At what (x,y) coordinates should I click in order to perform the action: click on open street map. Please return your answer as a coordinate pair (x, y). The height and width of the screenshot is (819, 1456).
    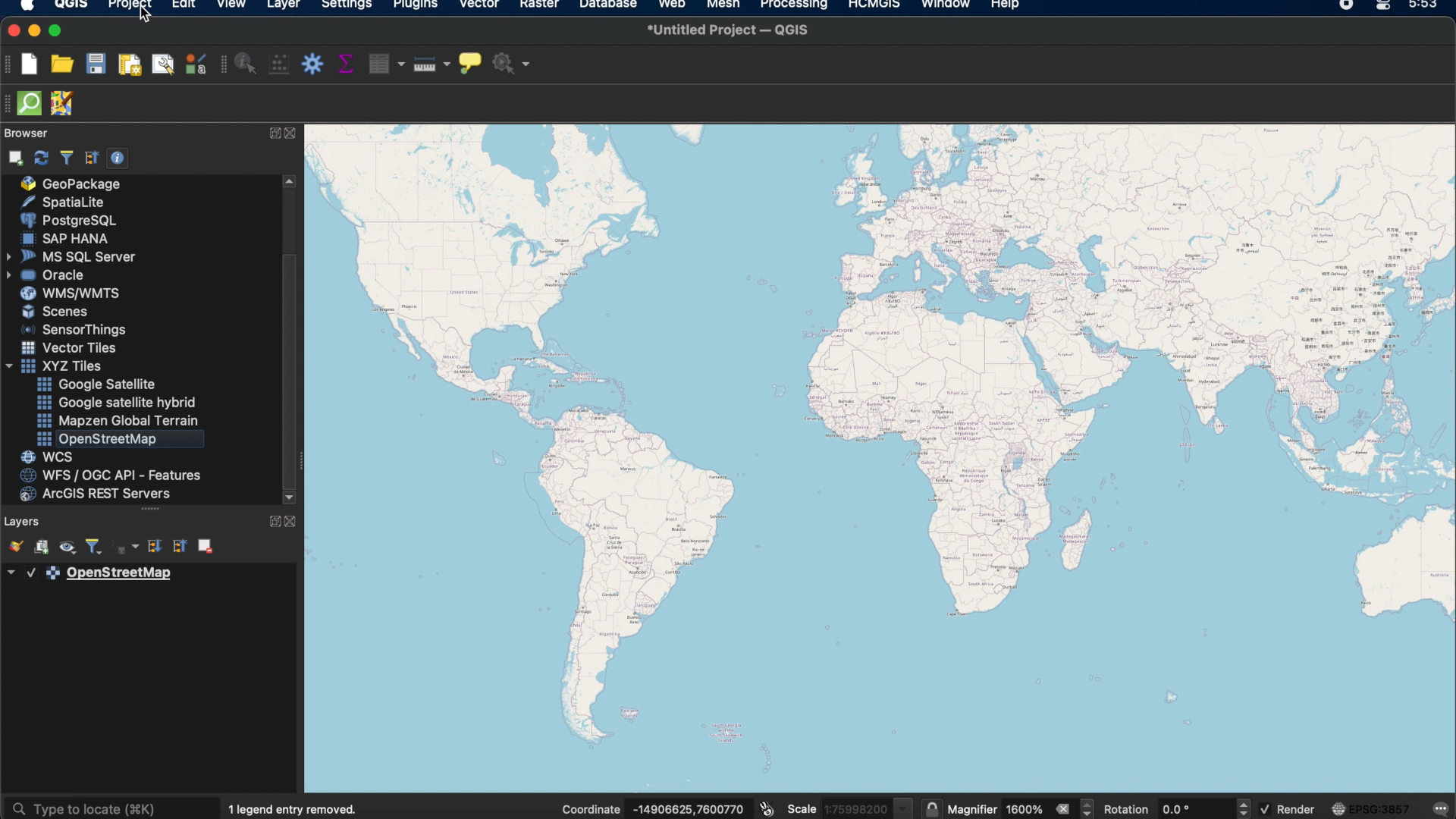
    Looking at the image, I should click on (882, 460).